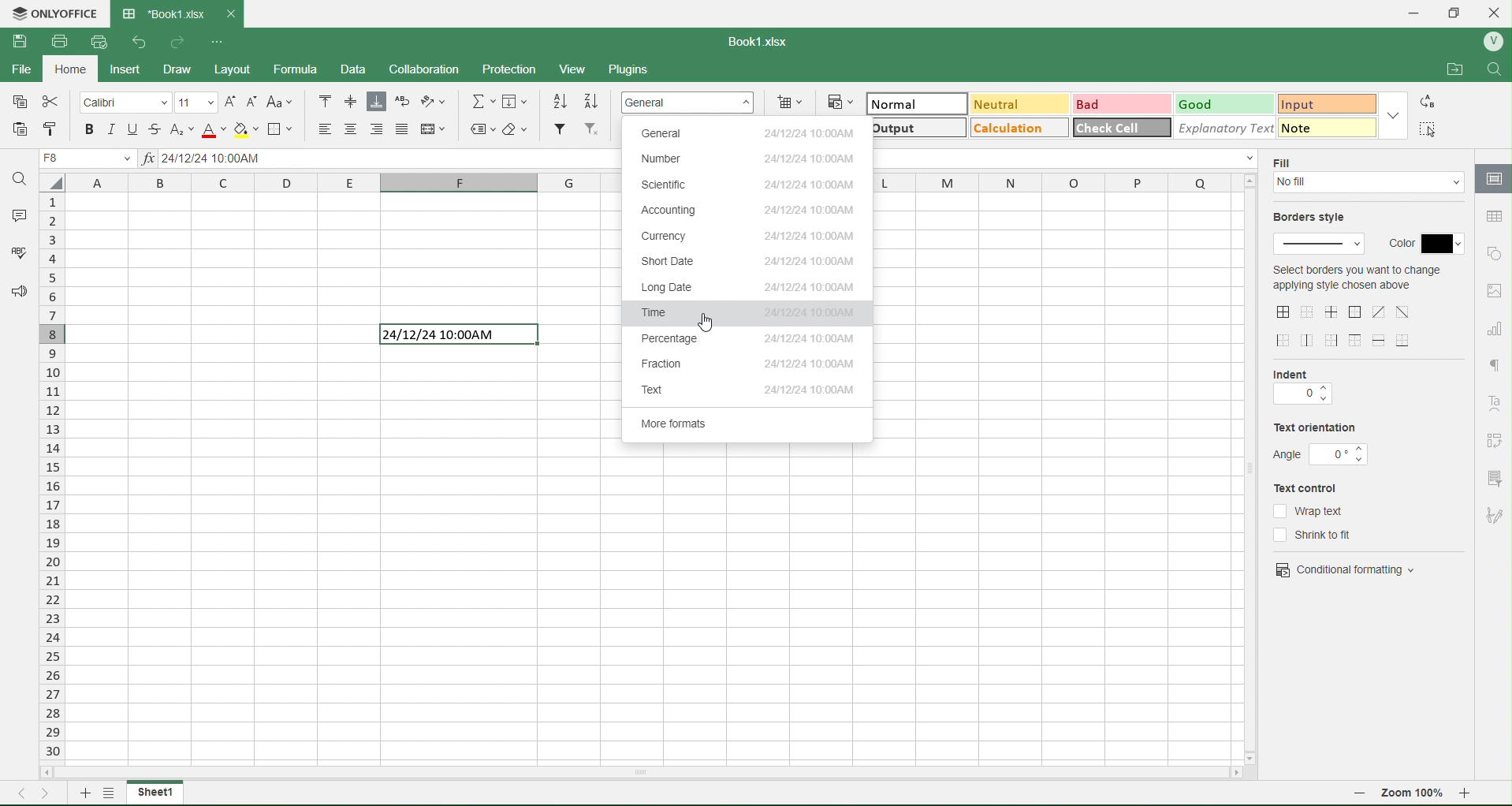 The image size is (1512, 806). Describe the element at coordinates (897, 104) in the screenshot. I see `normal` at that location.